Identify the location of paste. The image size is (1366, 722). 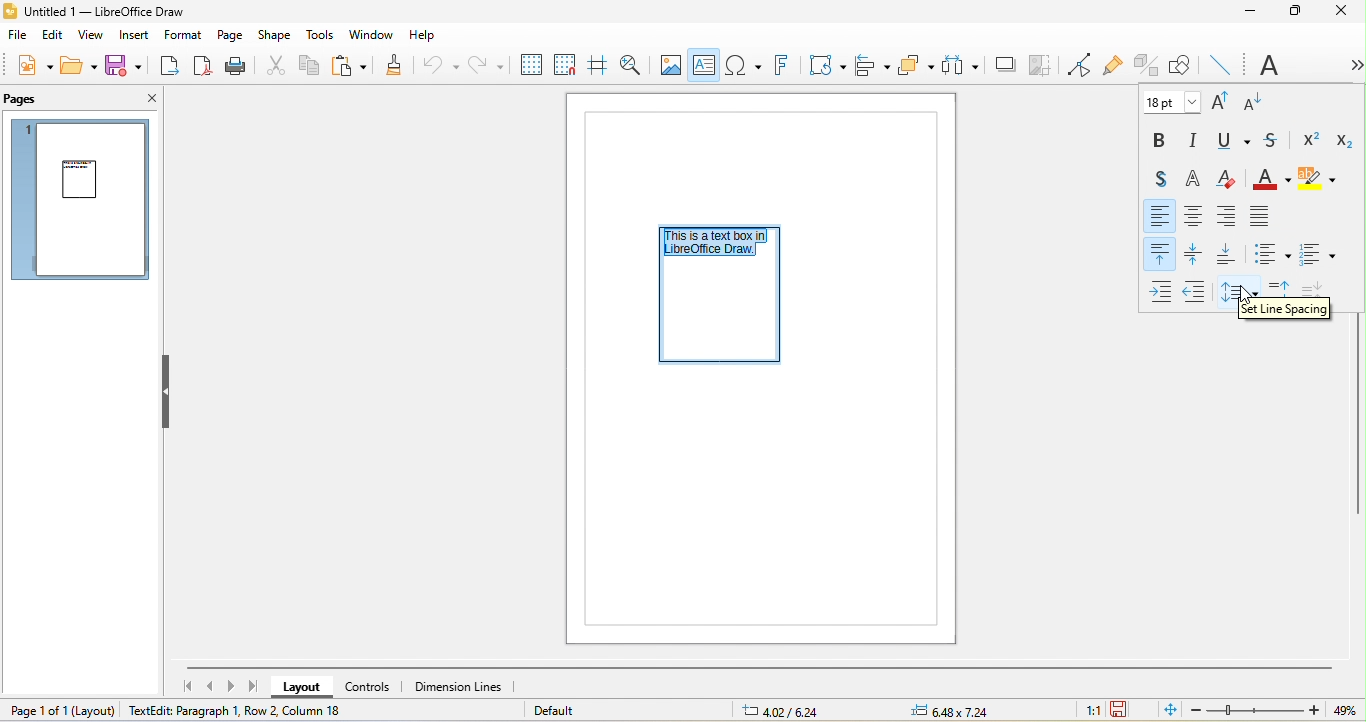
(353, 65).